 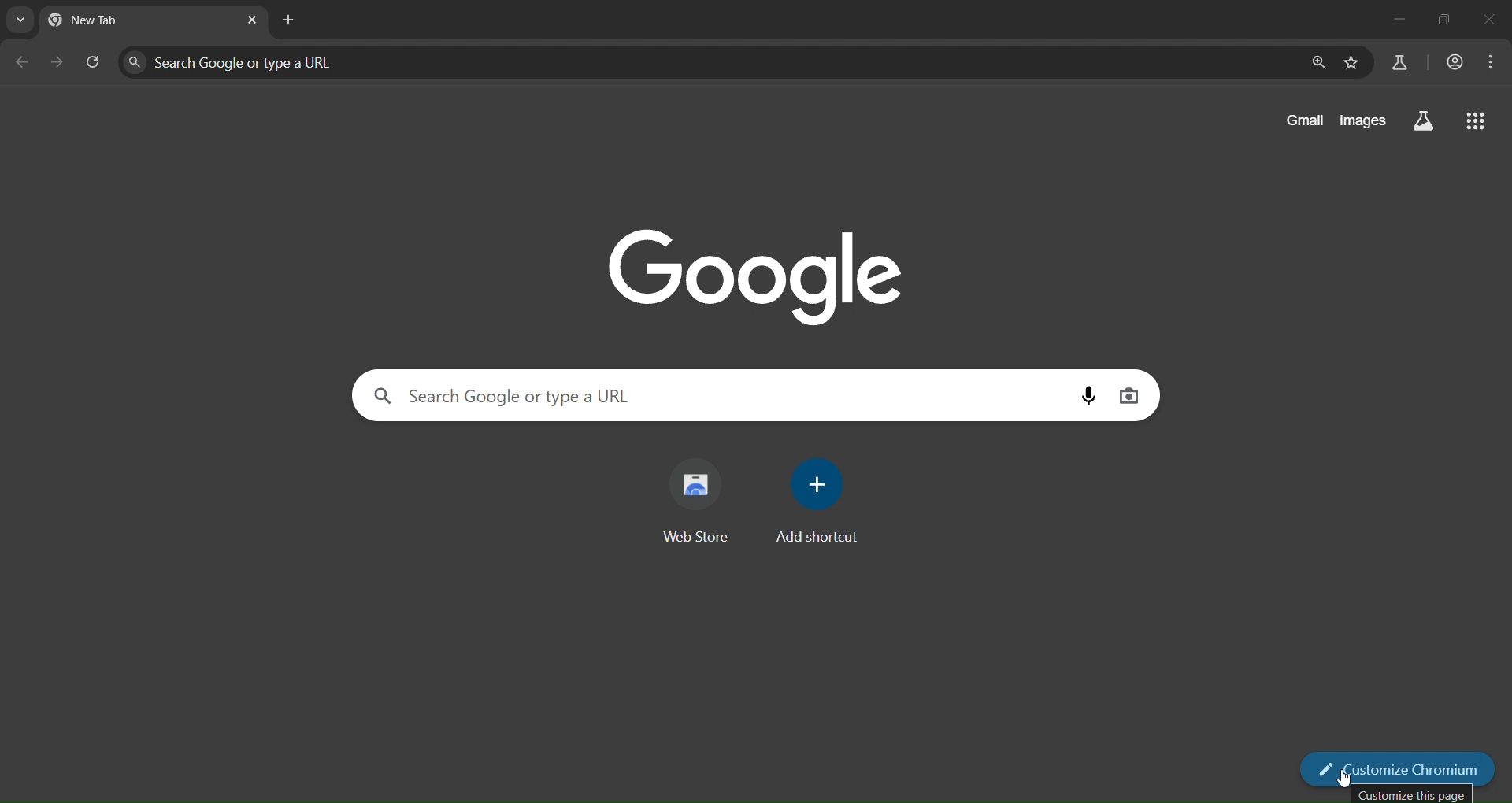 What do you see at coordinates (757, 279) in the screenshot?
I see `Google logo` at bounding box center [757, 279].